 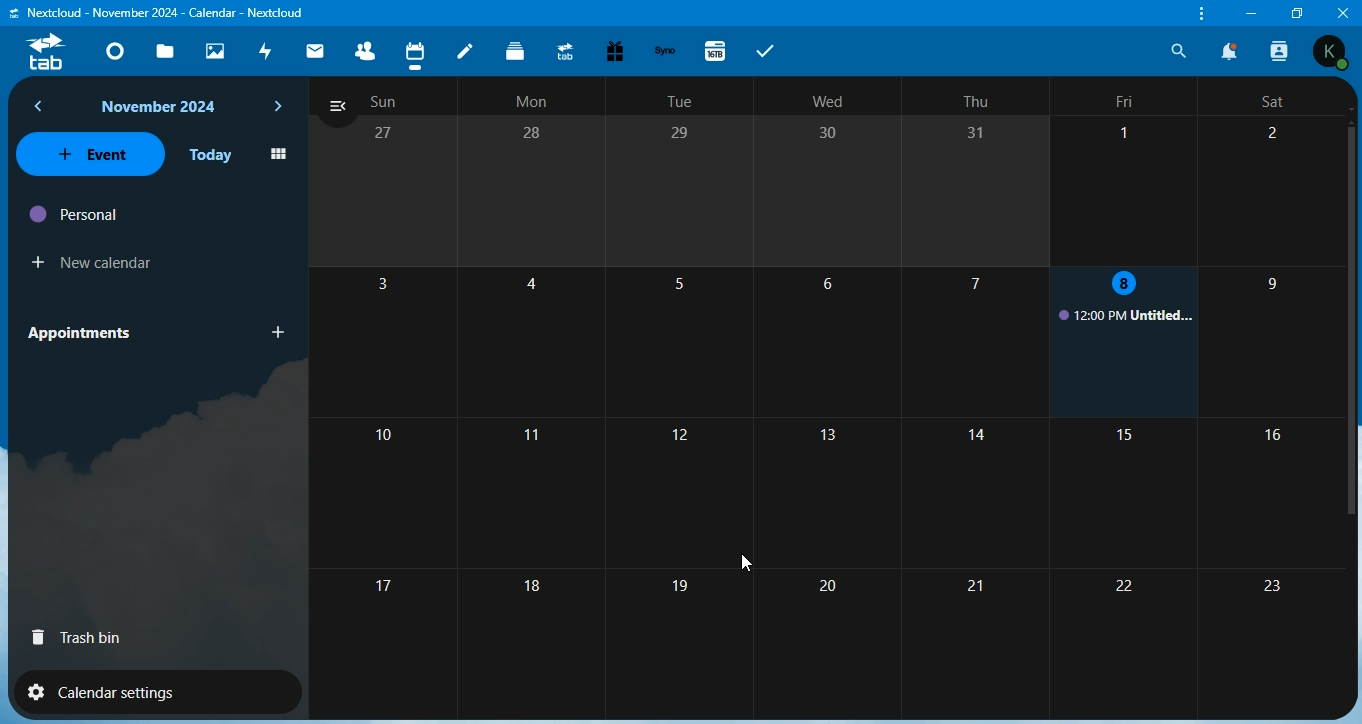 What do you see at coordinates (664, 51) in the screenshot?
I see `synology` at bounding box center [664, 51].